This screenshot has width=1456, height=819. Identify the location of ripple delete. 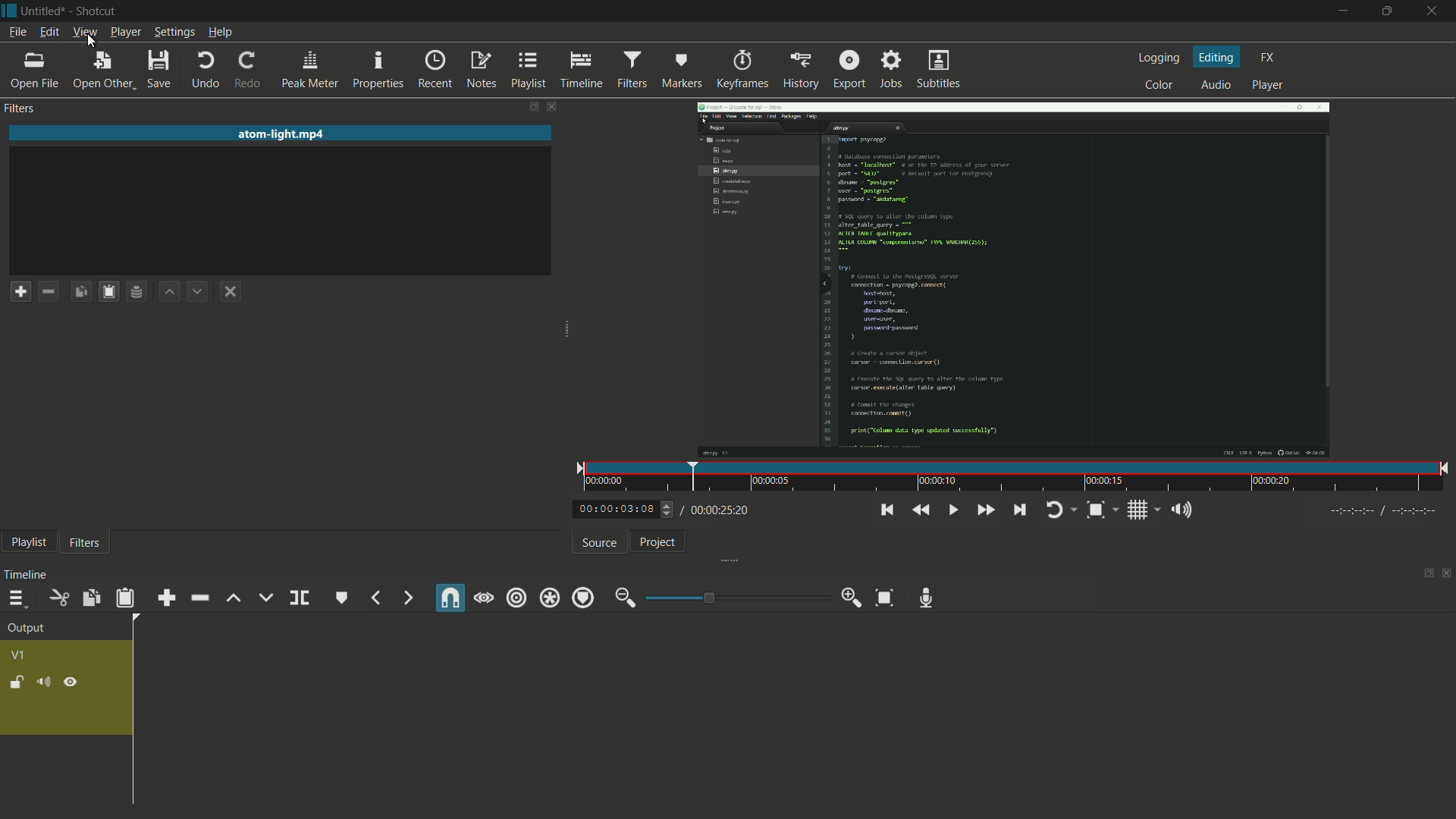
(199, 597).